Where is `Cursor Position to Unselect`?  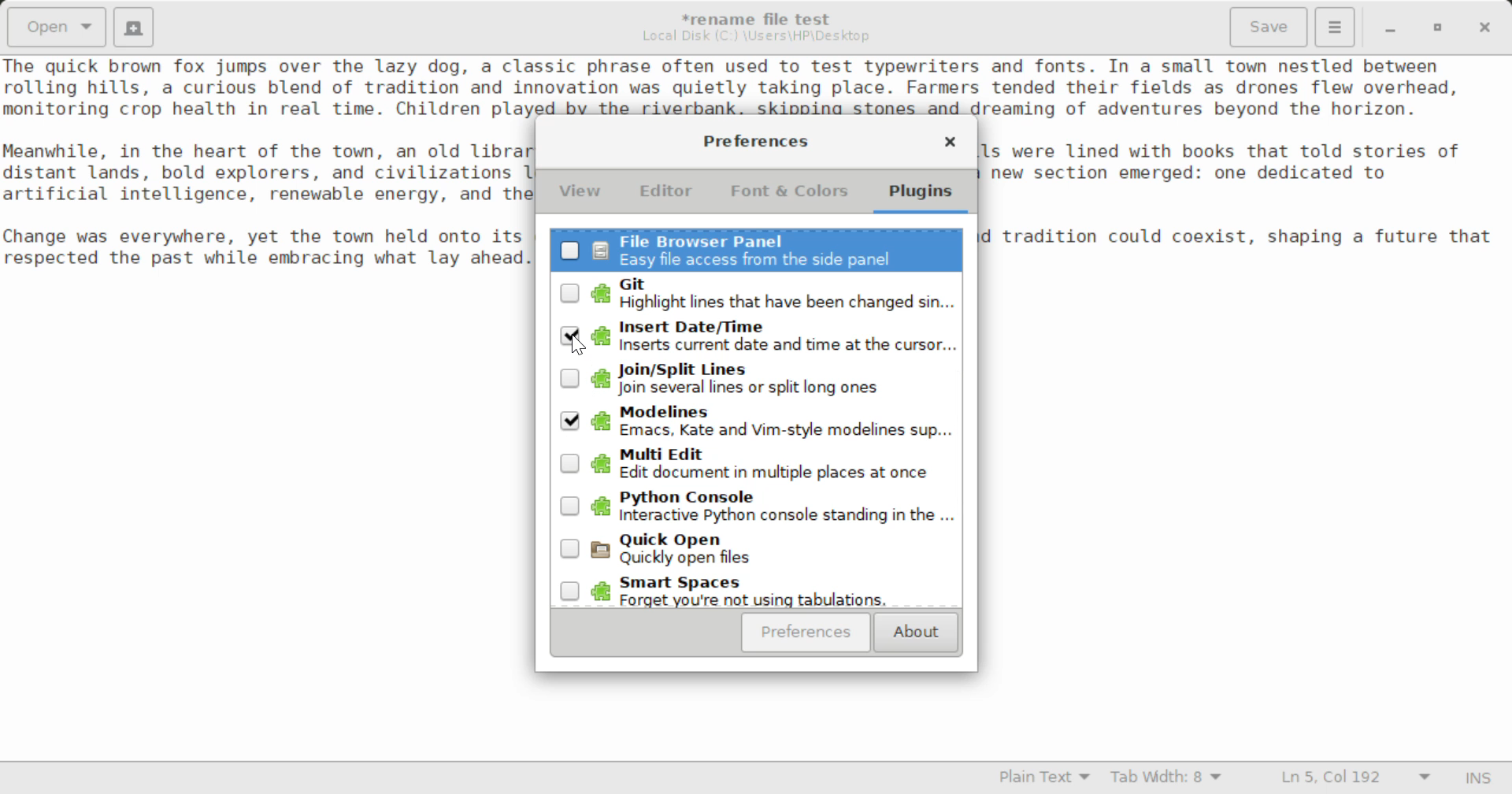 Cursor Position to Unselect is located at coordinates (570, 337).